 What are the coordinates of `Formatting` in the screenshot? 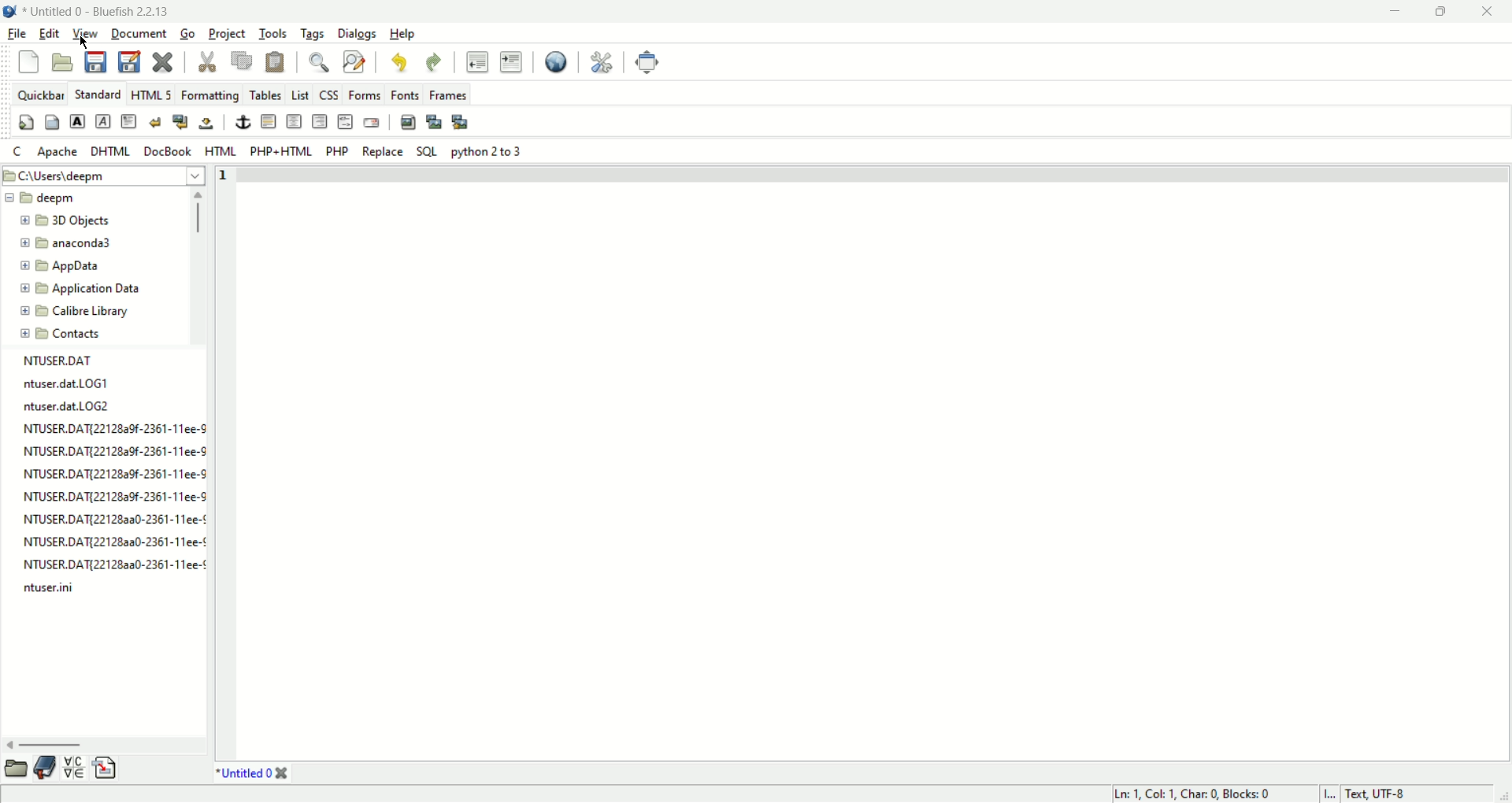 It's located at (209, 96).